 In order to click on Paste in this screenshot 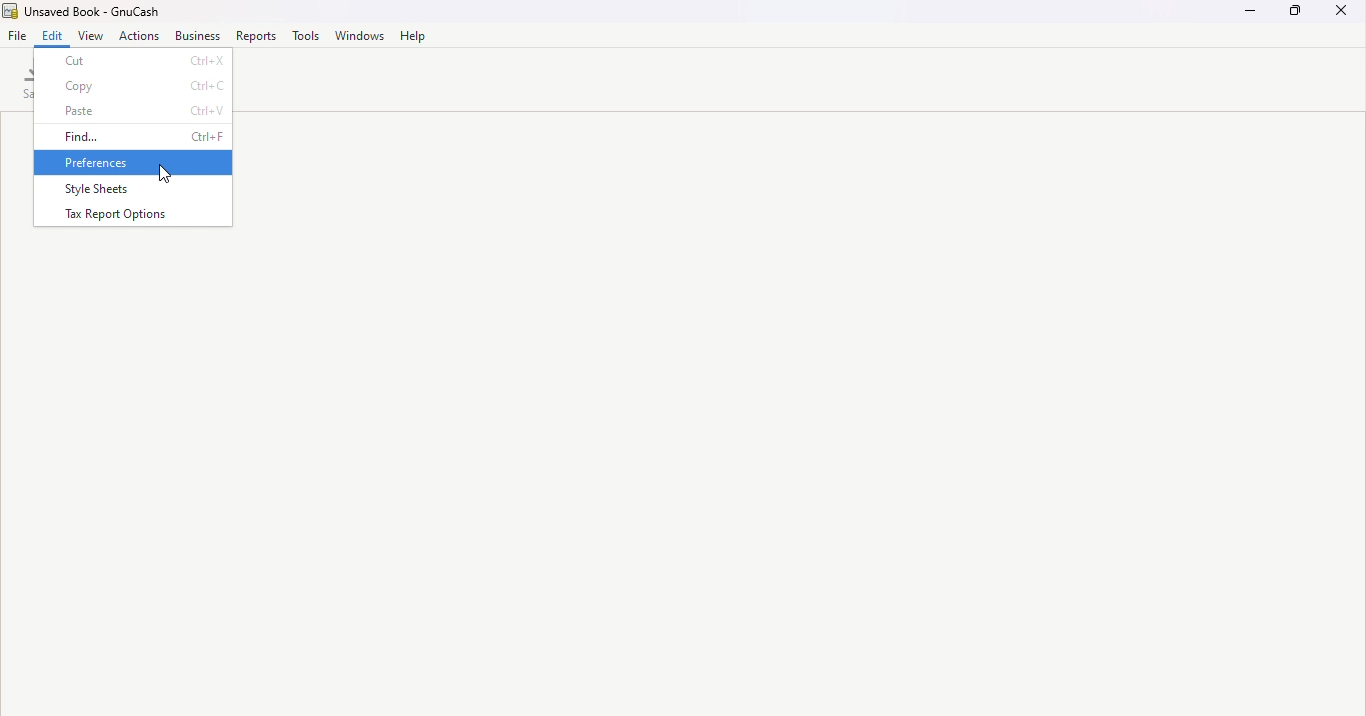, I will do `click(134, 110)`.